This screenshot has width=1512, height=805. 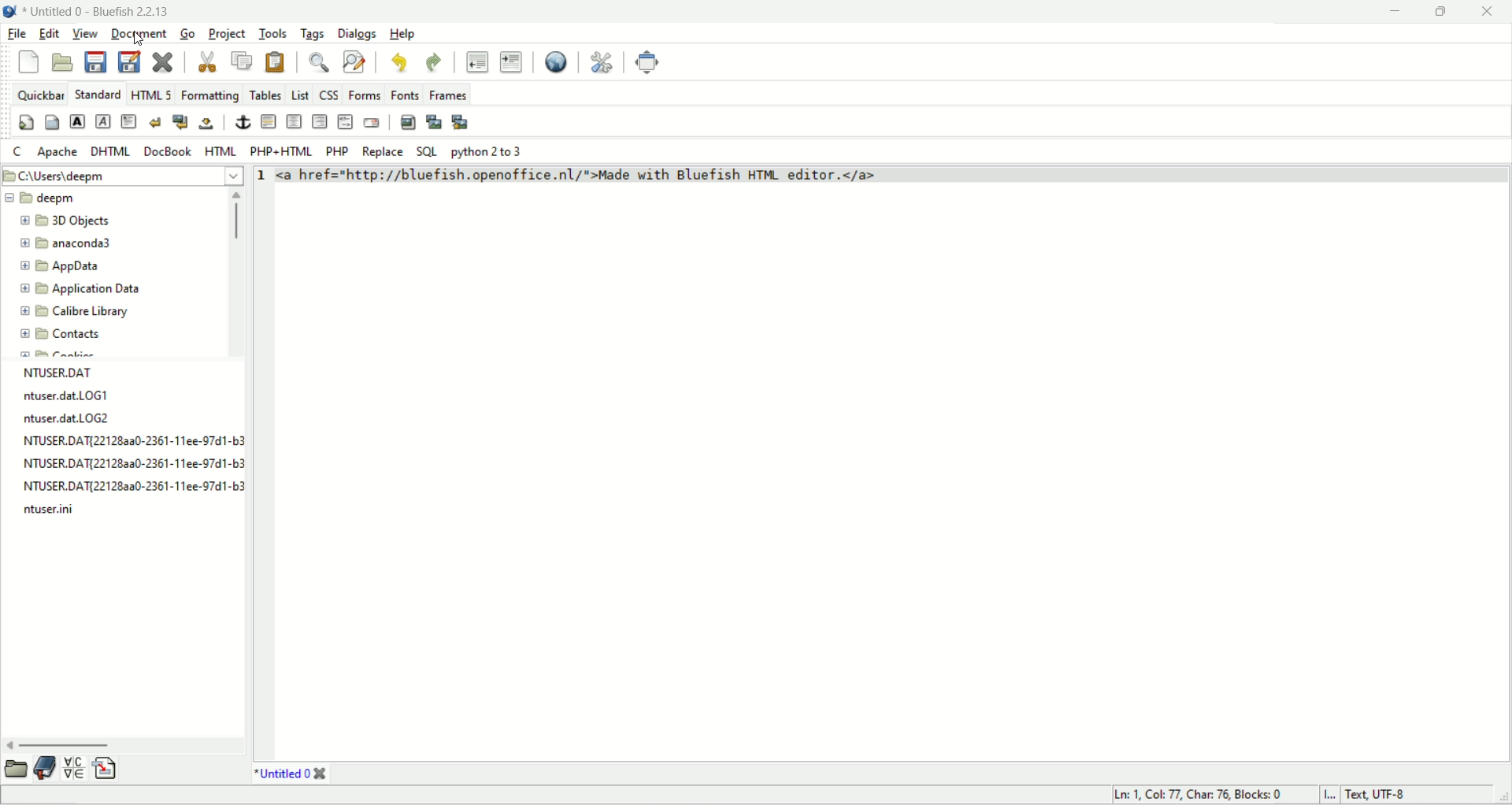 I want to click on HTML, so click(x=223, y=152).